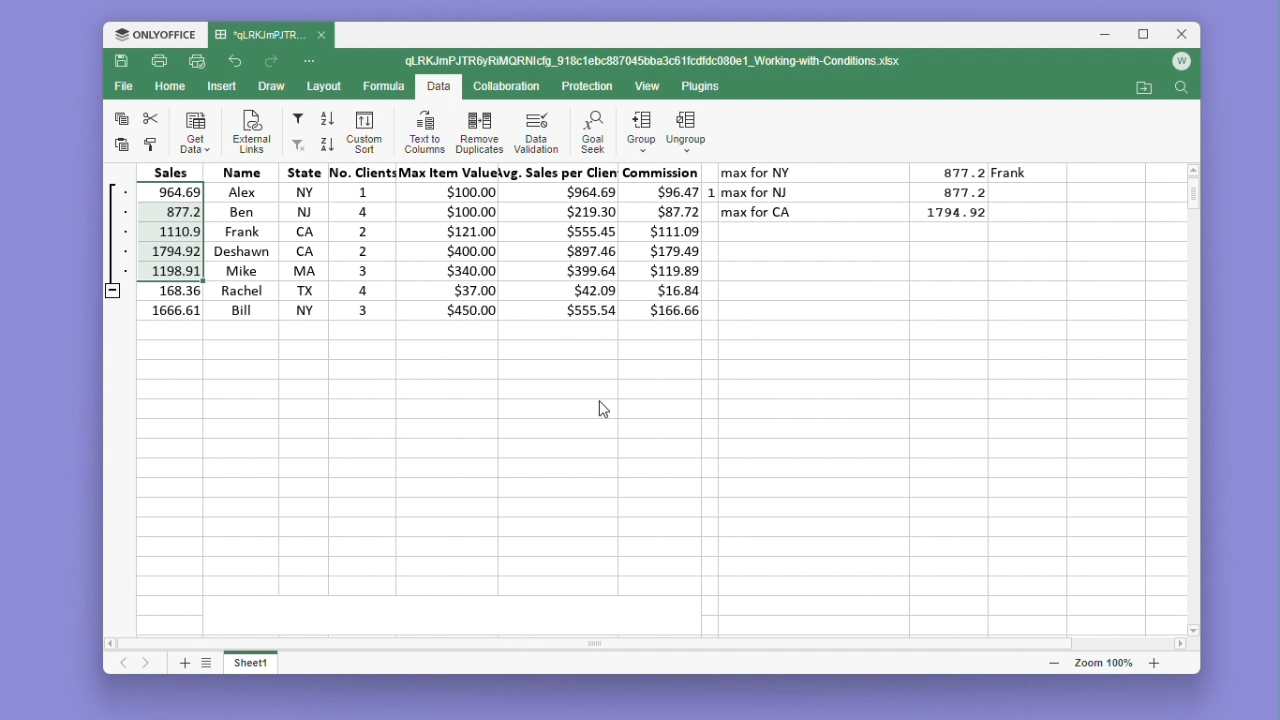  I want to click on Custom filter, so click(296, 145).